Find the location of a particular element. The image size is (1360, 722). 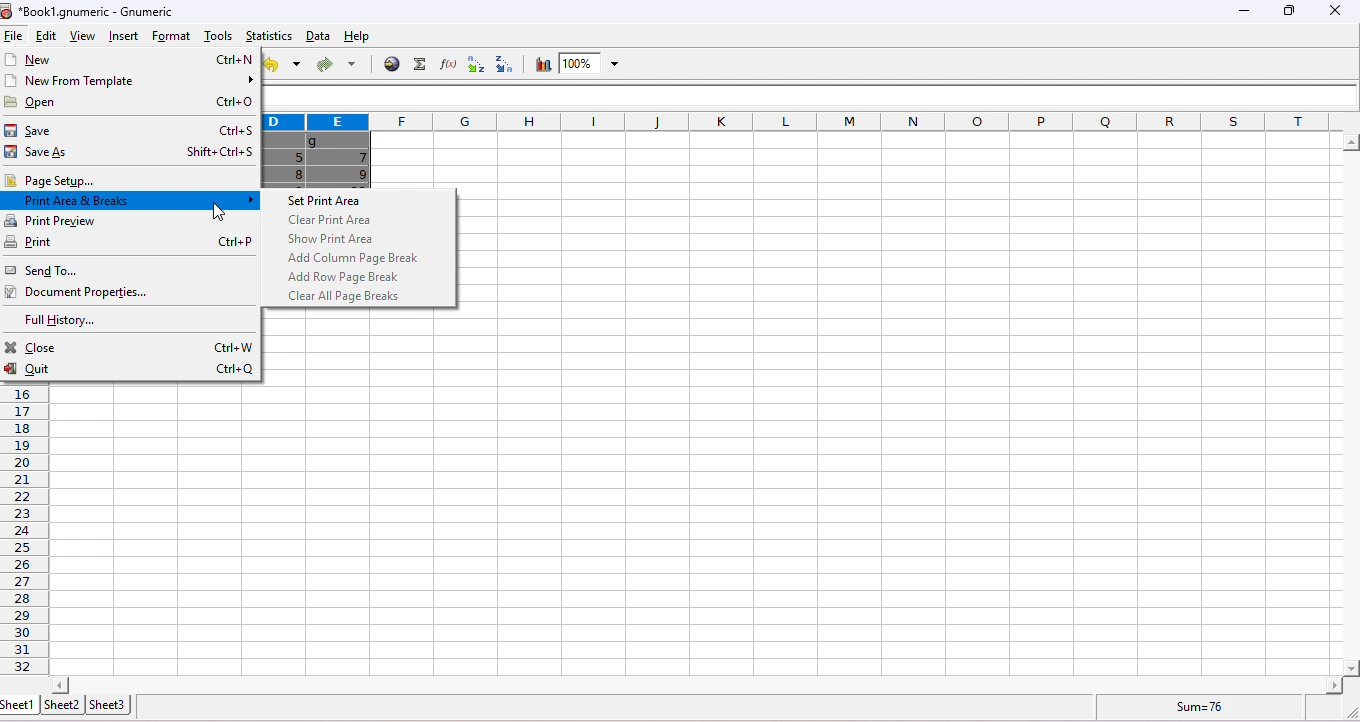

function is located at coordinates (417, 64).